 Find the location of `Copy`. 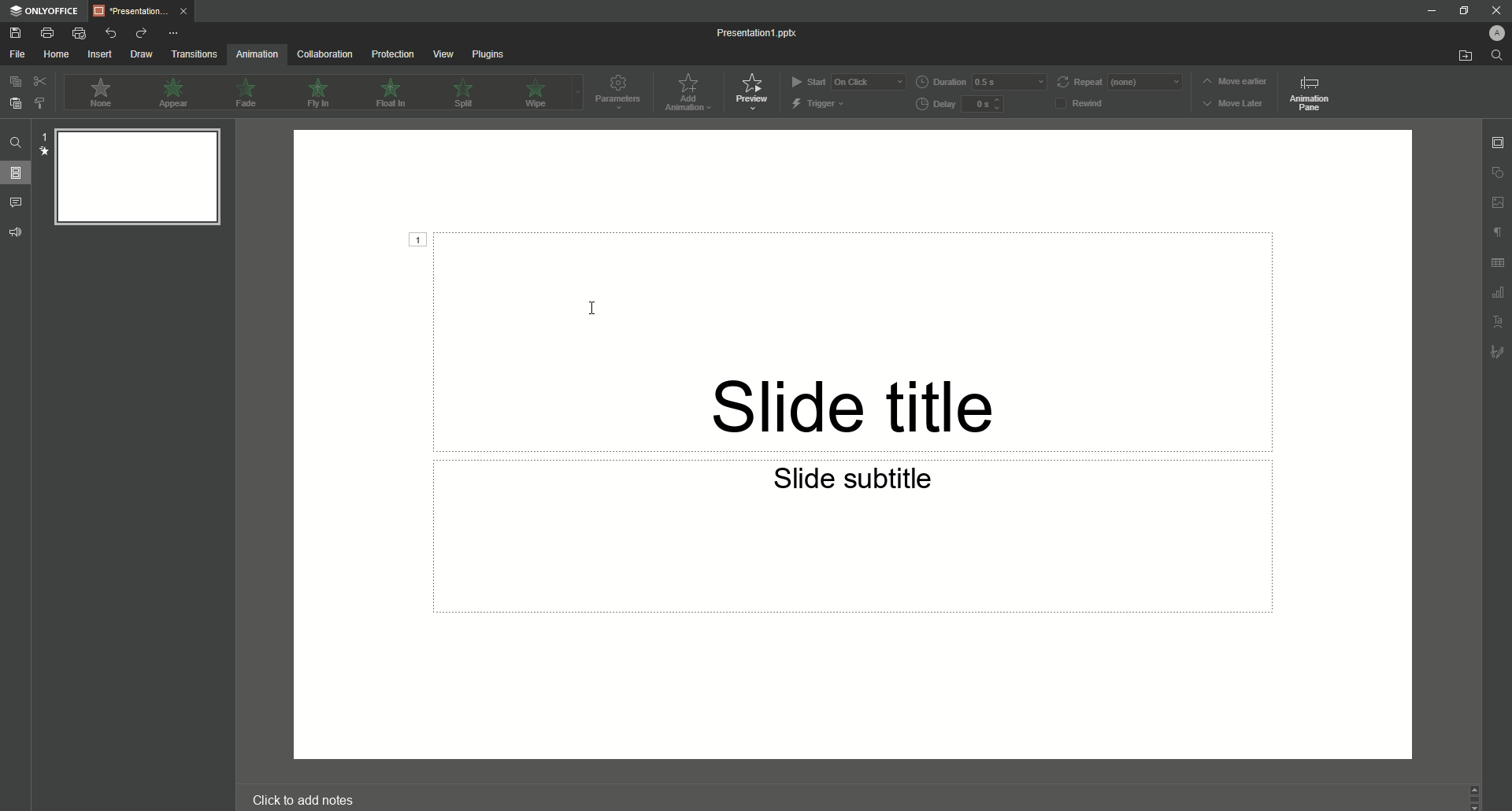

Copy is located at coordinates (14, 83).